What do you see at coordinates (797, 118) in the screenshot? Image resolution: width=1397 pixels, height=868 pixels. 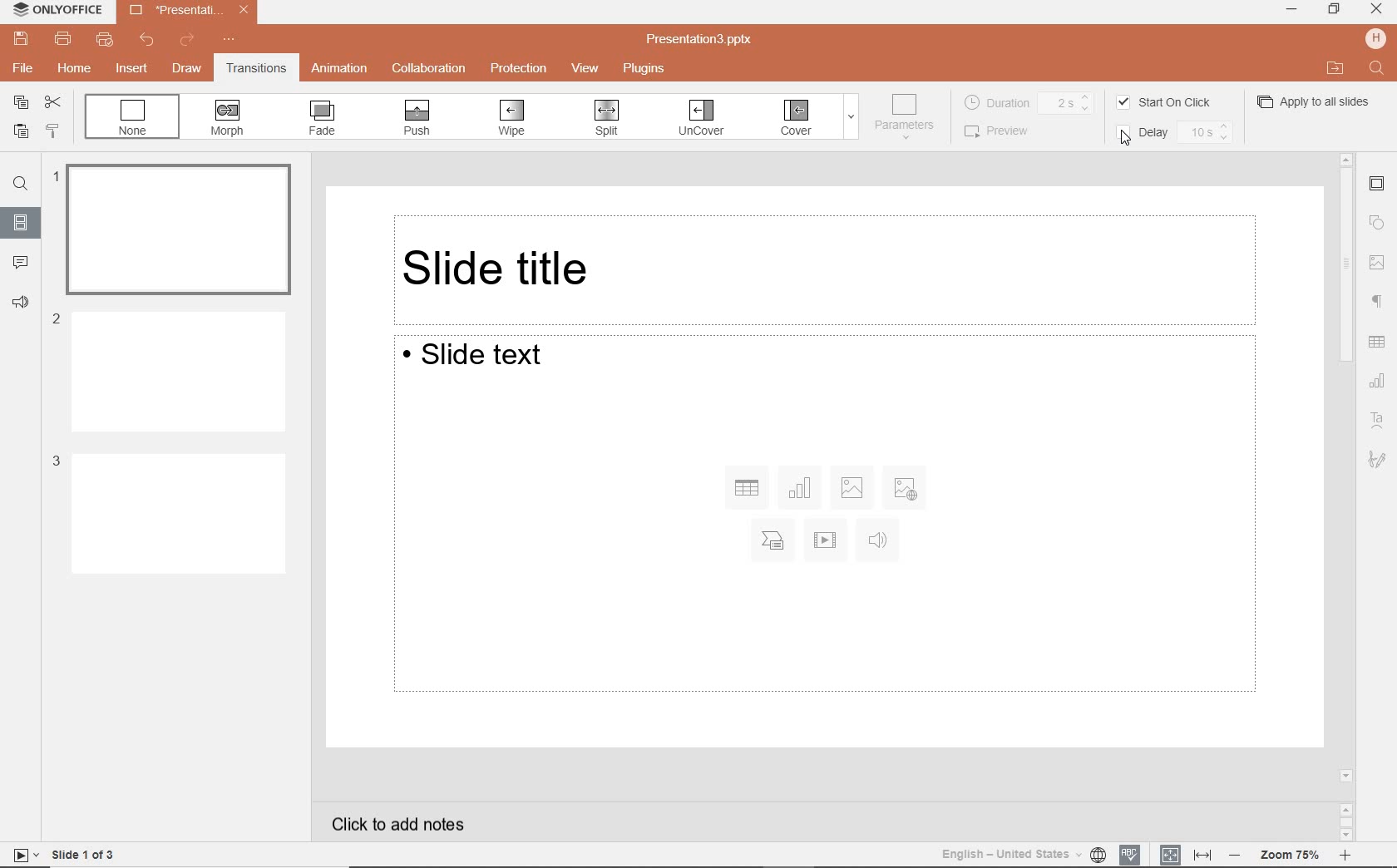 I see `COVER` at bounding box center [797, 118].